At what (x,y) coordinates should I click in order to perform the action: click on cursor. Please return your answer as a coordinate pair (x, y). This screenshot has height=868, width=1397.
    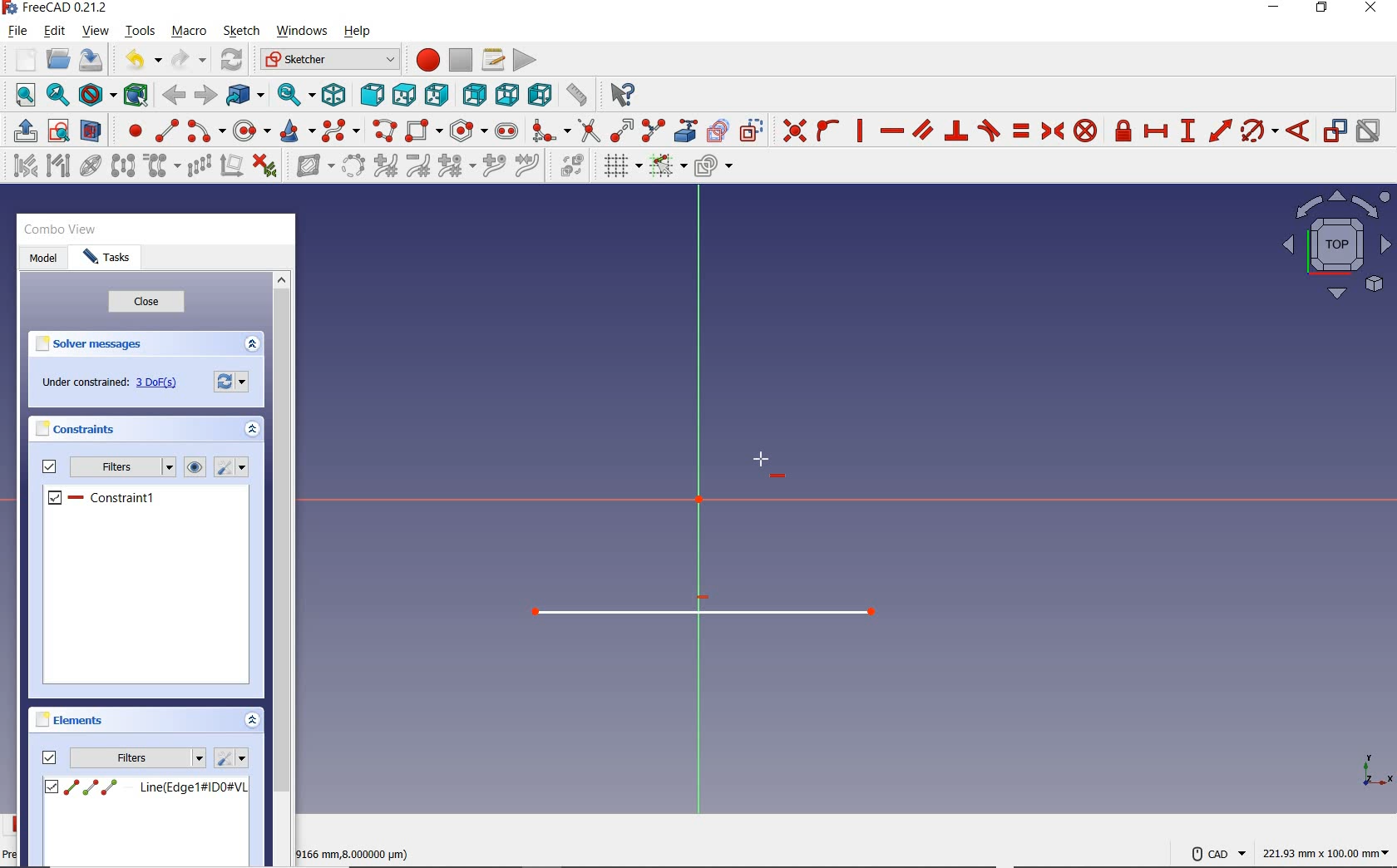
    Looking at the image, I should click on (767, 463).